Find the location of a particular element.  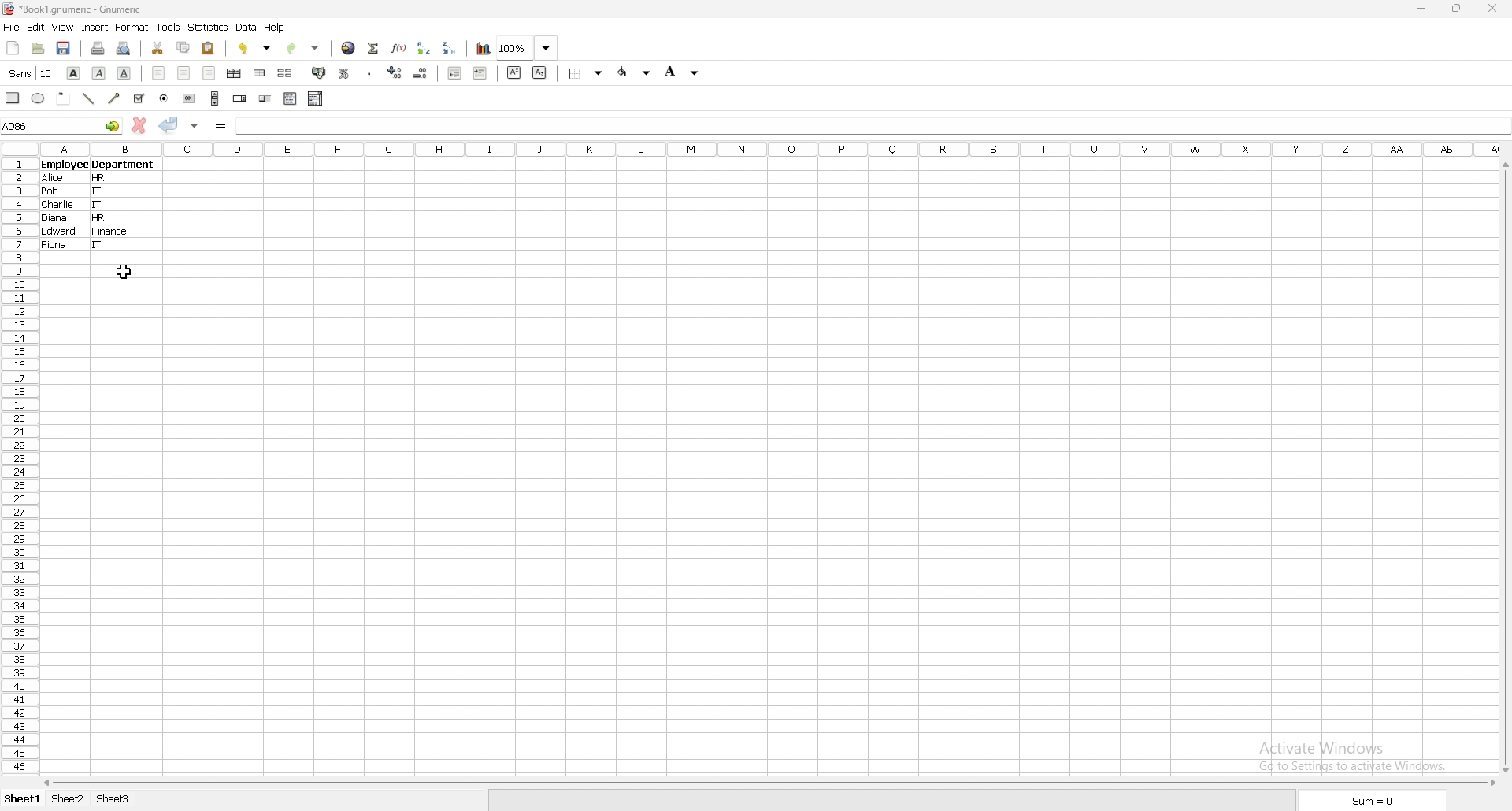

save is located at coordinates (65, 47).